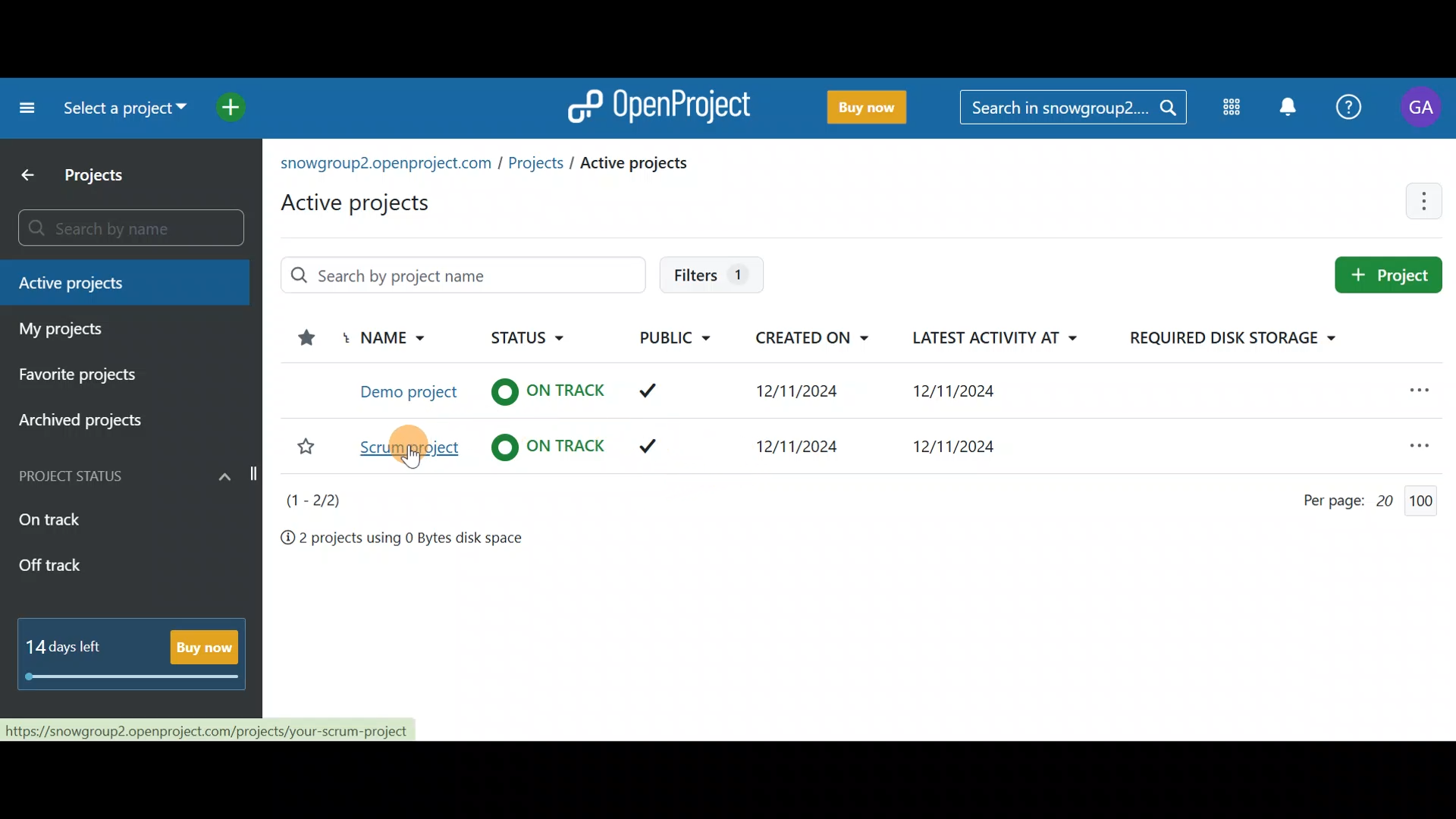 The image size is (1456, 819). I want to click on Add to favorites, so click(304, 445).